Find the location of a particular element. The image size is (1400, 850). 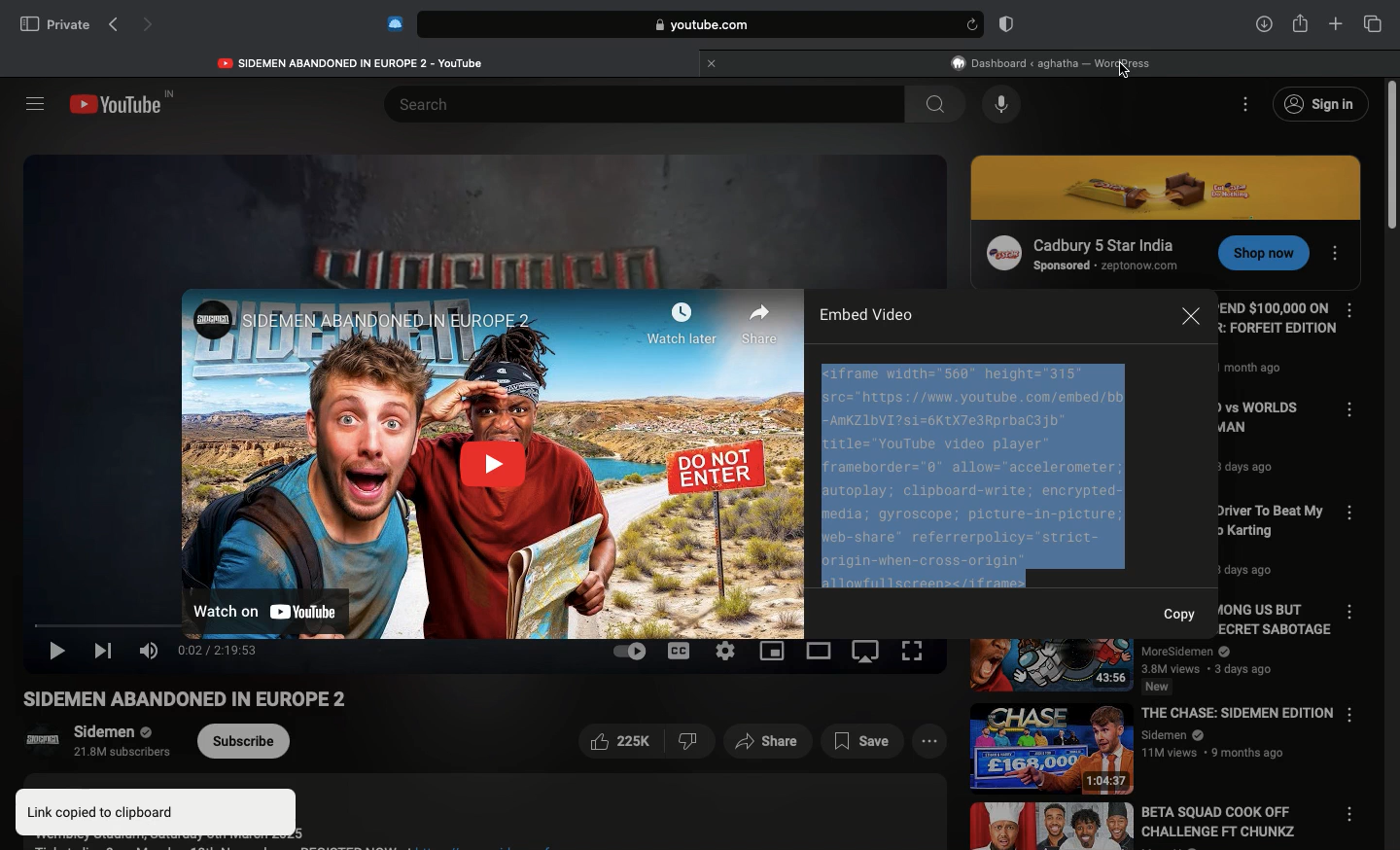

Videos is located at coordinates (480, 211).